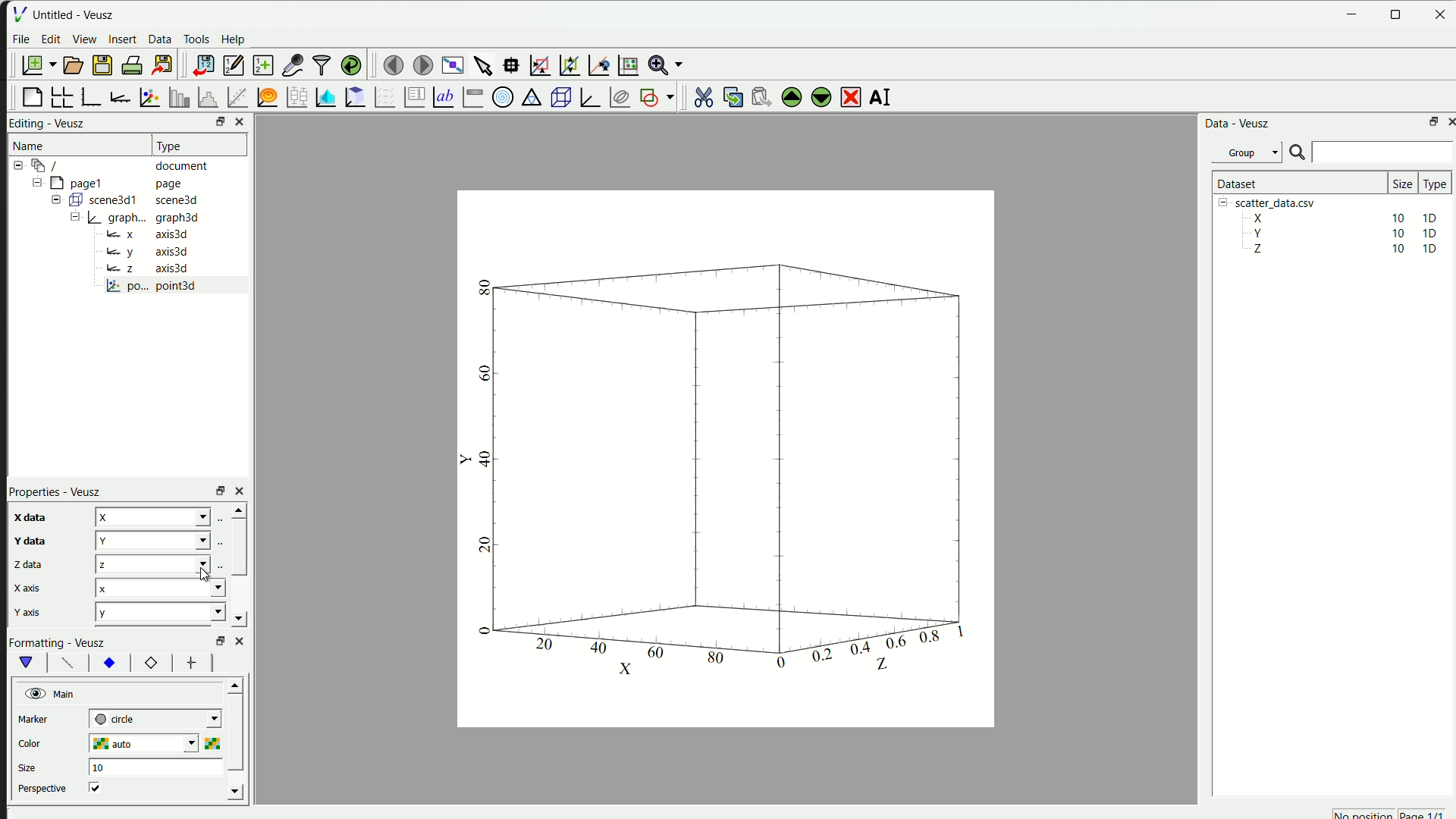 The height and width of the screenshot is (819, 1456). What do you see at coordinates (46, 742) in the screenshot?
I see `color` at bounding box center [46, 742].